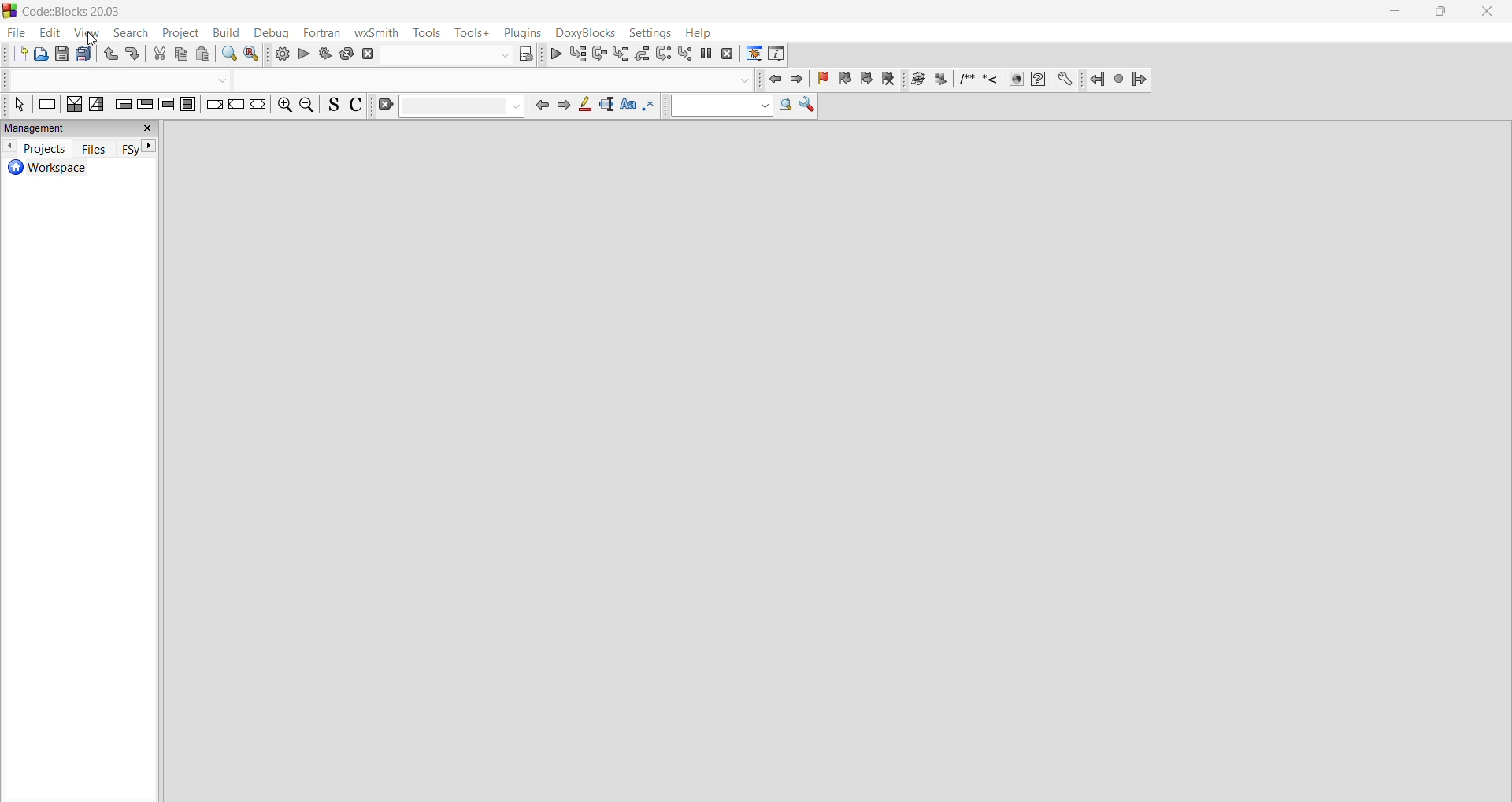 The image size is (1512, 802). Describe the element at coordinates (281, 55) in the screenshot. I see `build` at that location.